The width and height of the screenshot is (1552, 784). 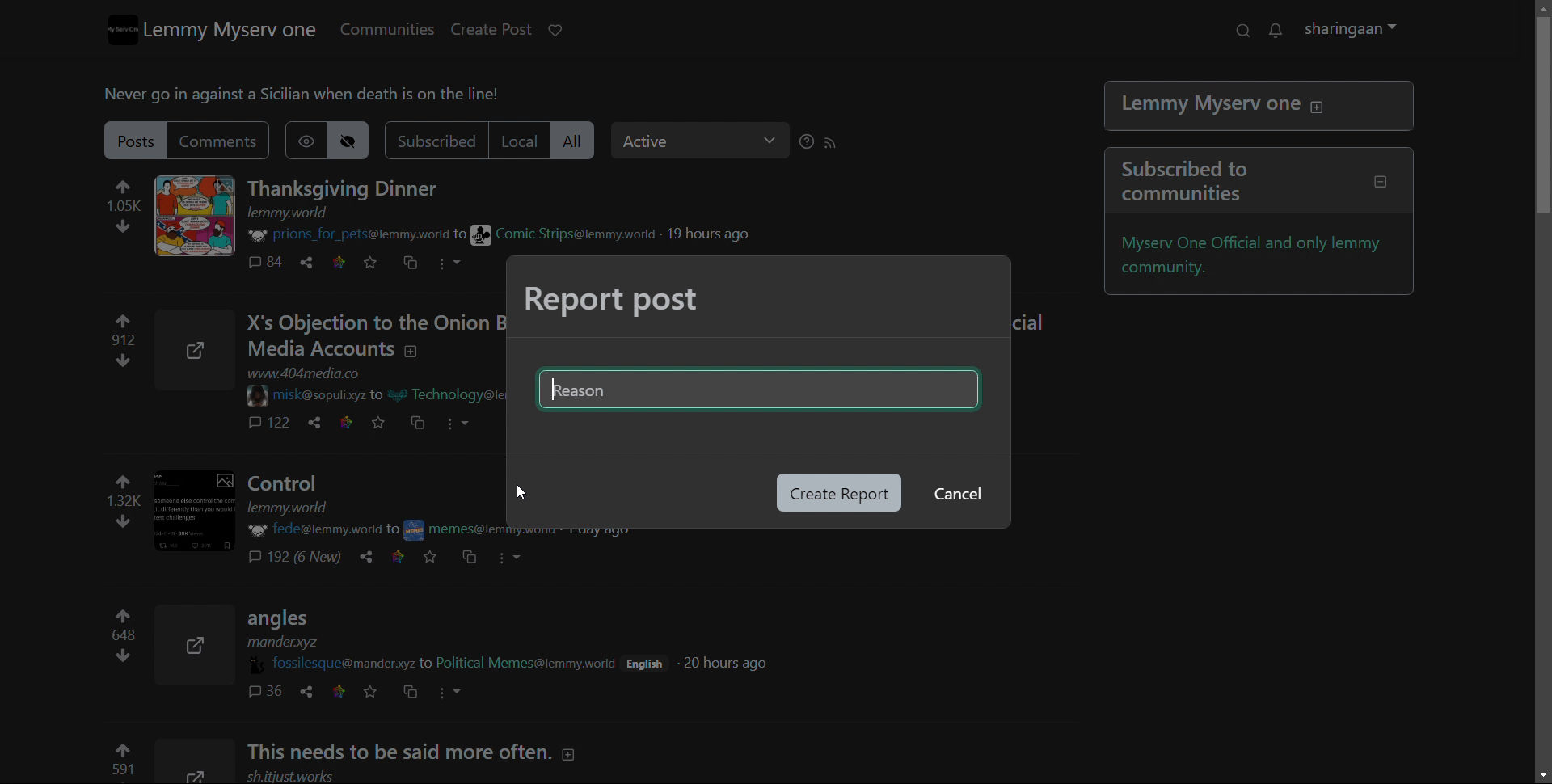 I want to click on community, so click(x=533, y=663).